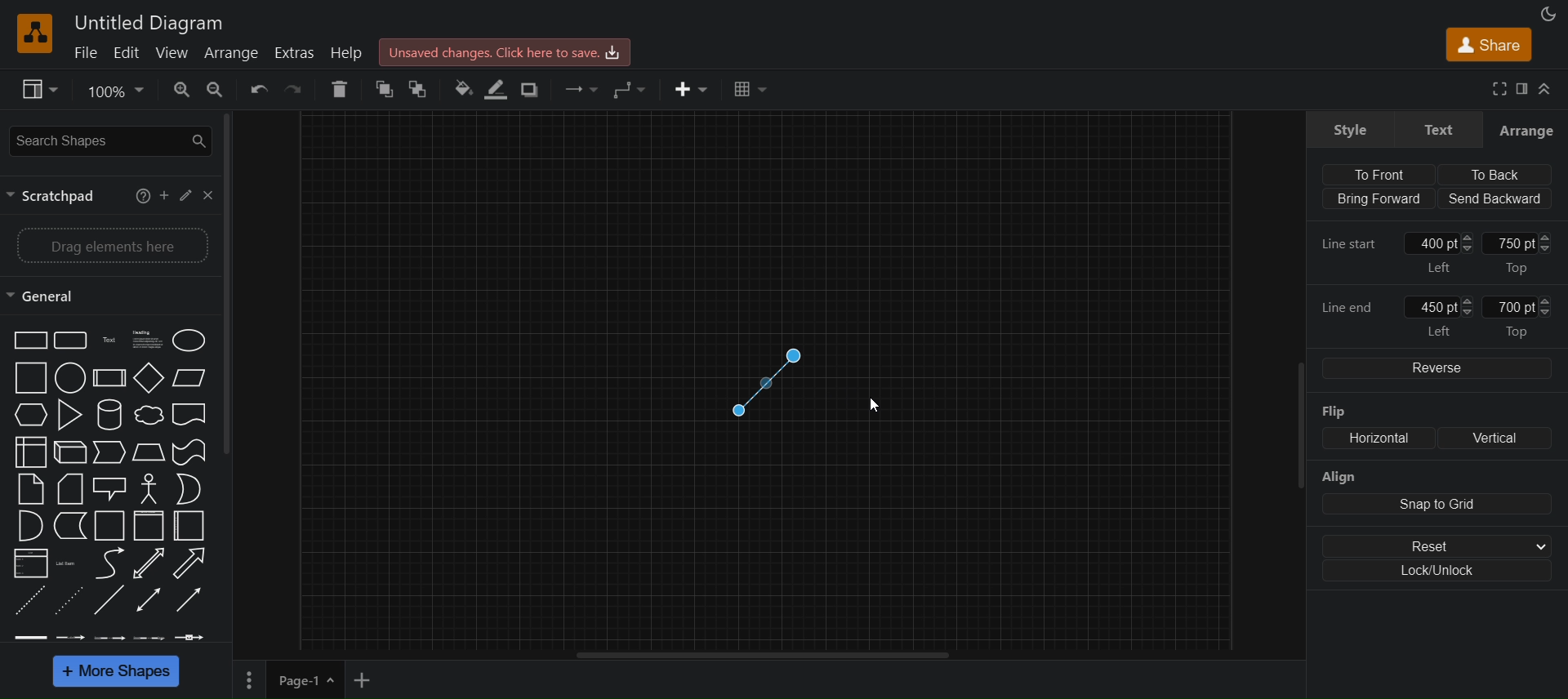 This screenshot has height=699, width=1568. What do you see at coordinates (190, 339) in the screenshot?
I see `Circle` at bounding box center [190, 339].